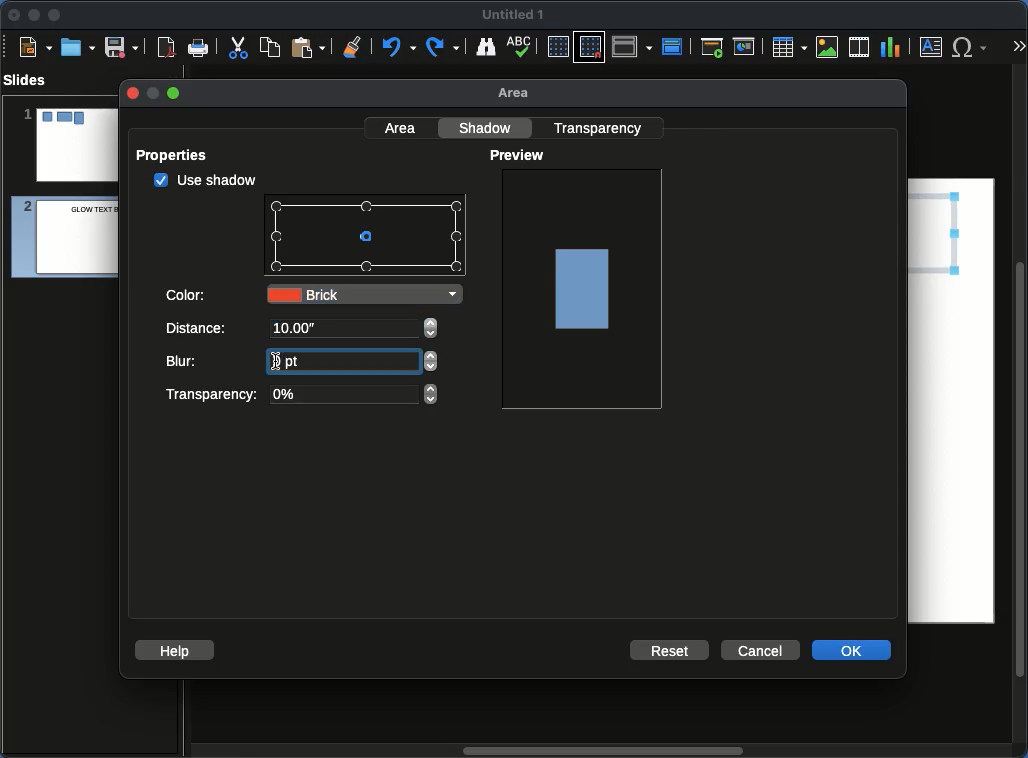 This screenshot has height=758, width=1028. I want to click on maximize, so click(175, 94).